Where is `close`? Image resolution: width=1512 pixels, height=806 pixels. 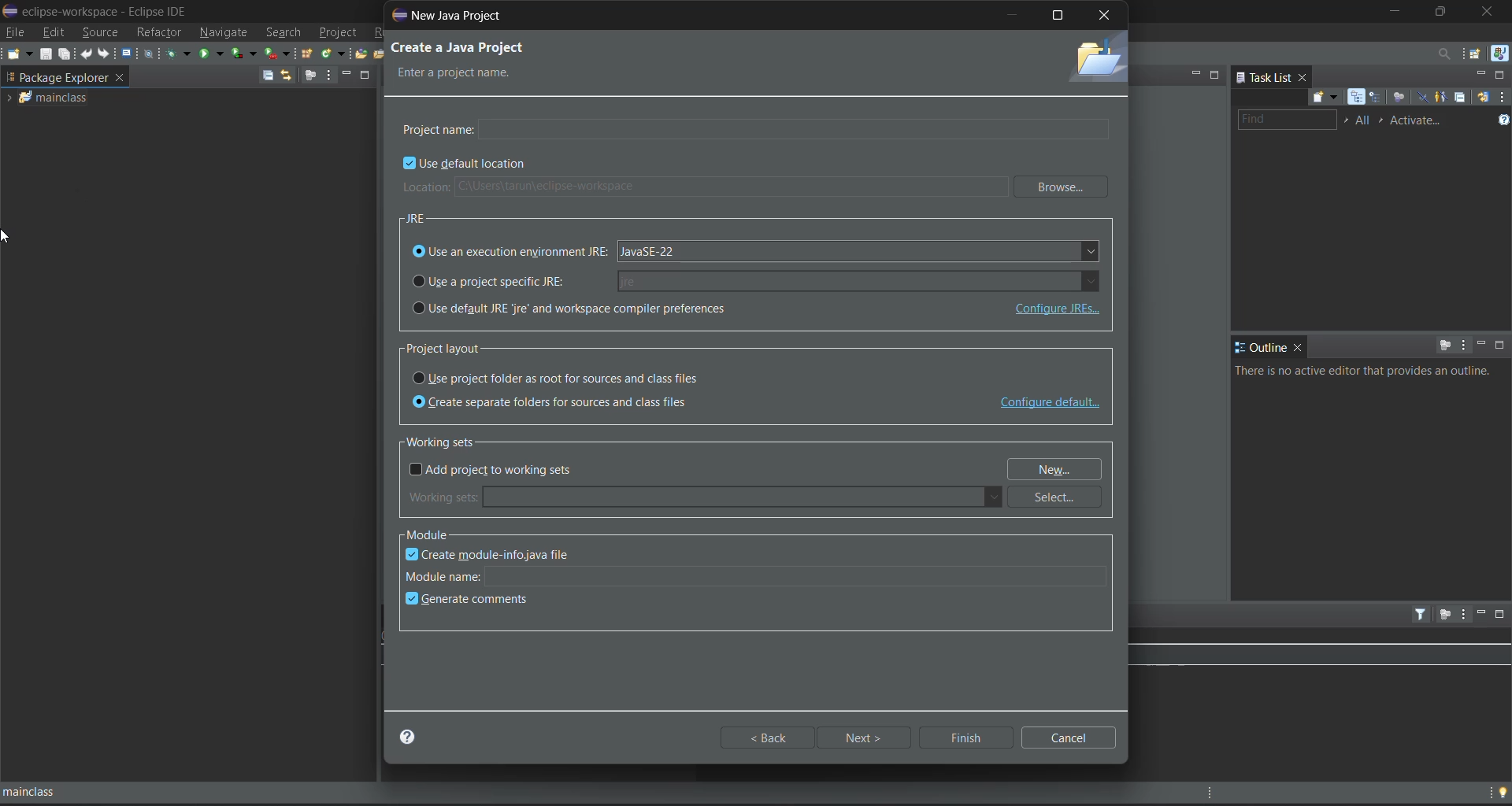 close is located at coordinates (1489, 12).